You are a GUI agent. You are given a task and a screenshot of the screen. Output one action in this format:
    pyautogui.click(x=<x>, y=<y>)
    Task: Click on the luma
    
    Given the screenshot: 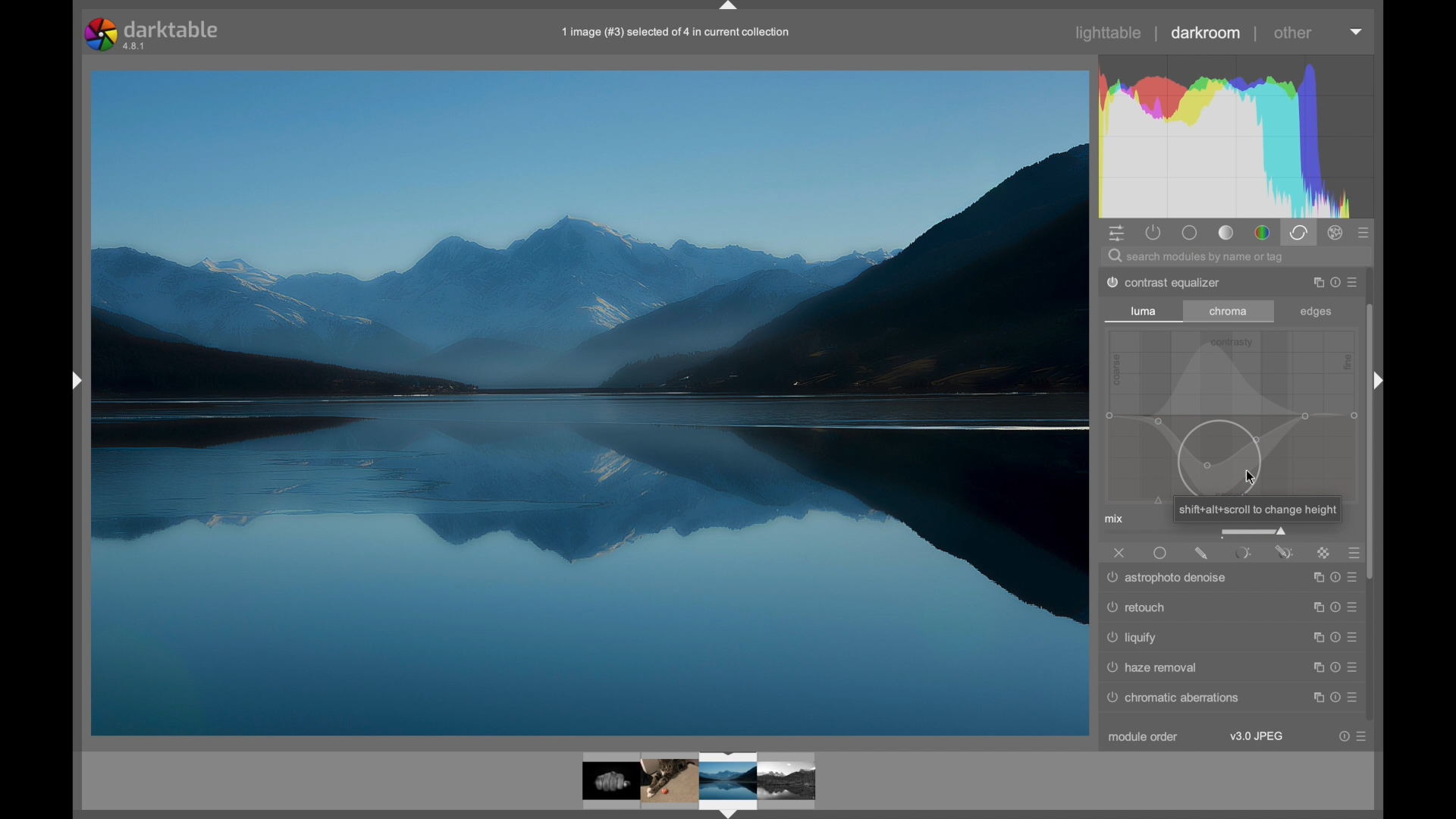 What is the action you would take?
    pyautogui.click(x=1144, y=310)
    